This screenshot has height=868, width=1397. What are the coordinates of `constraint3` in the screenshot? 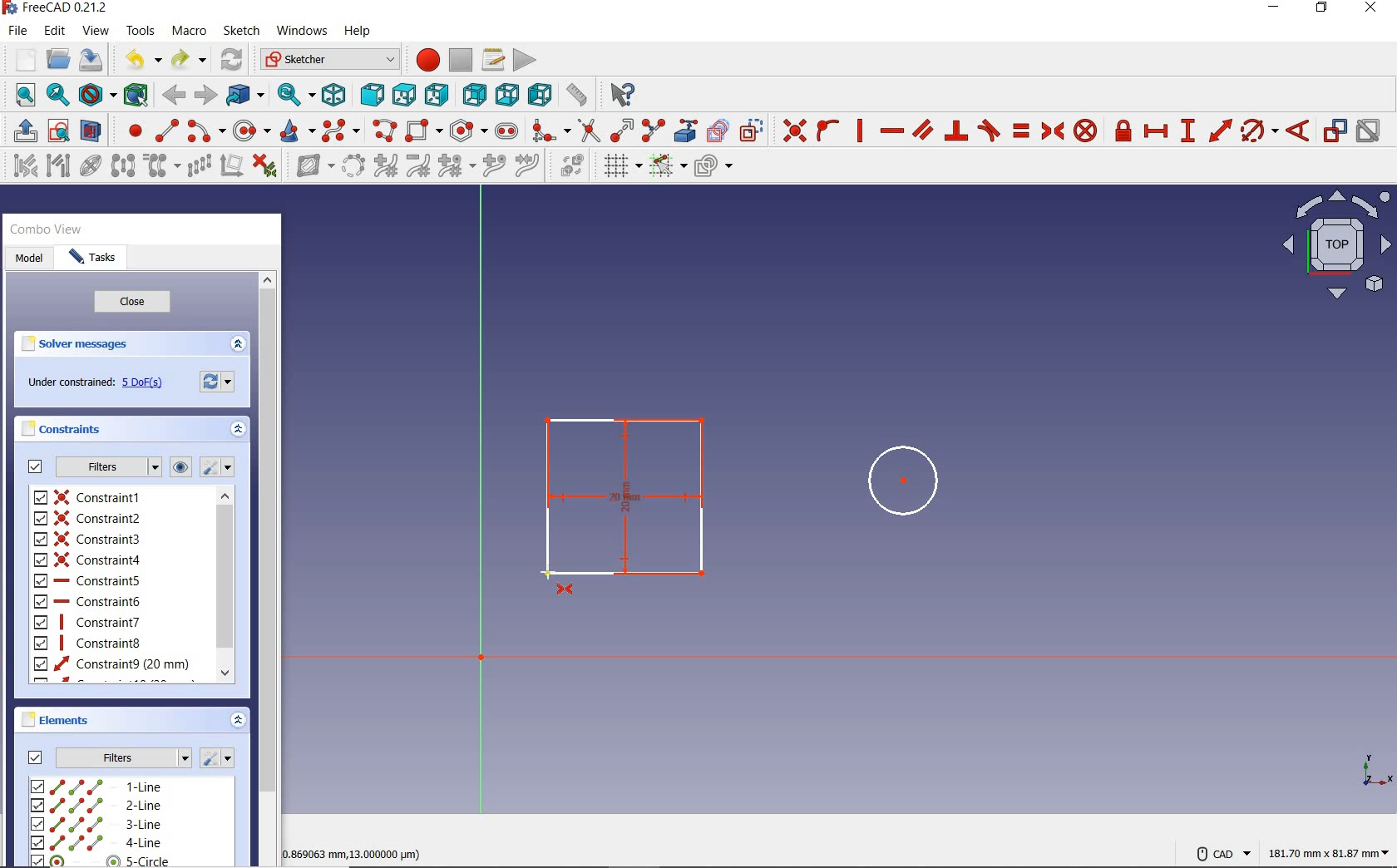 It's located at (88, 539).